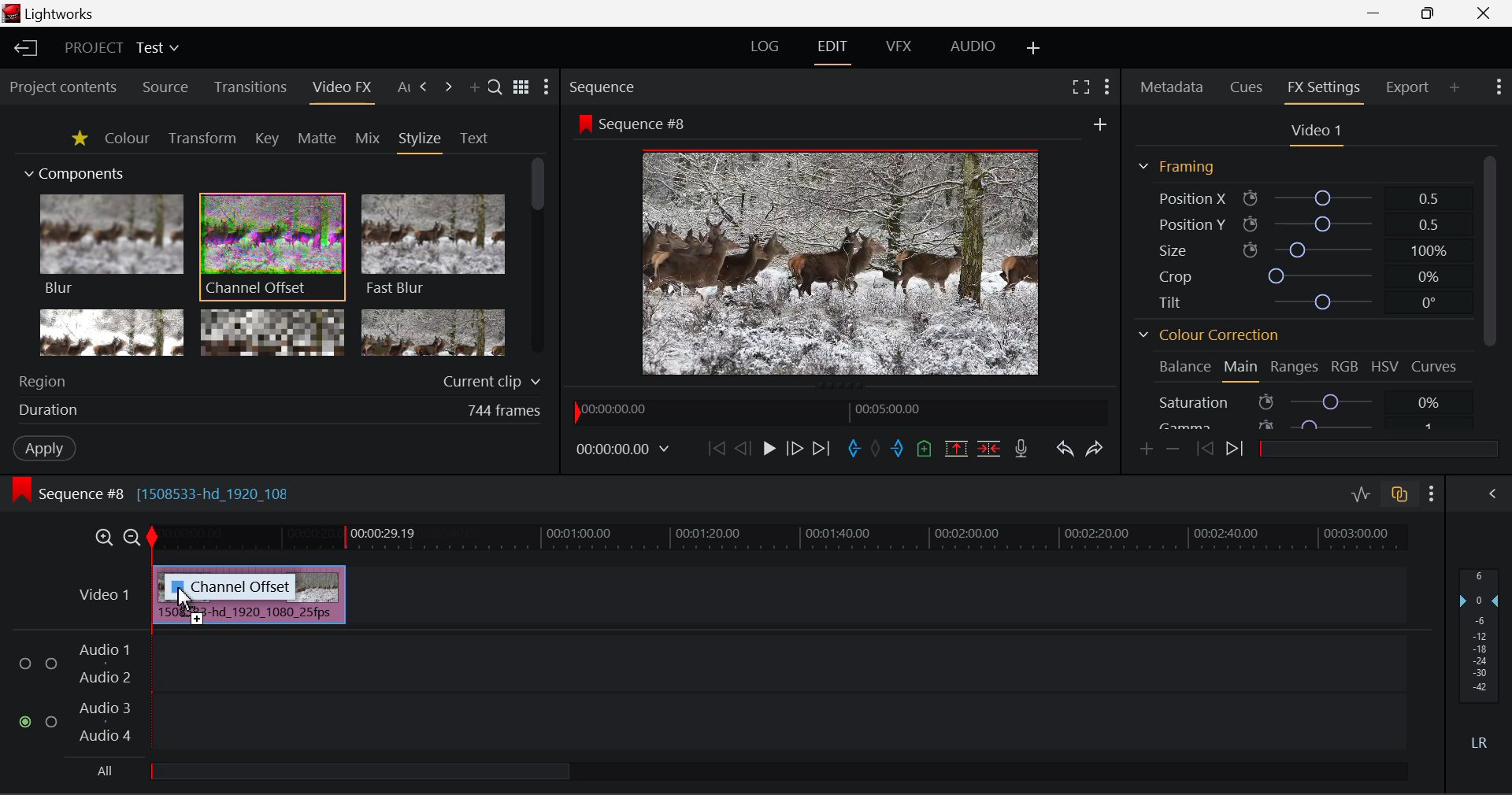  I want to click on Go Back, so click(741, 449).